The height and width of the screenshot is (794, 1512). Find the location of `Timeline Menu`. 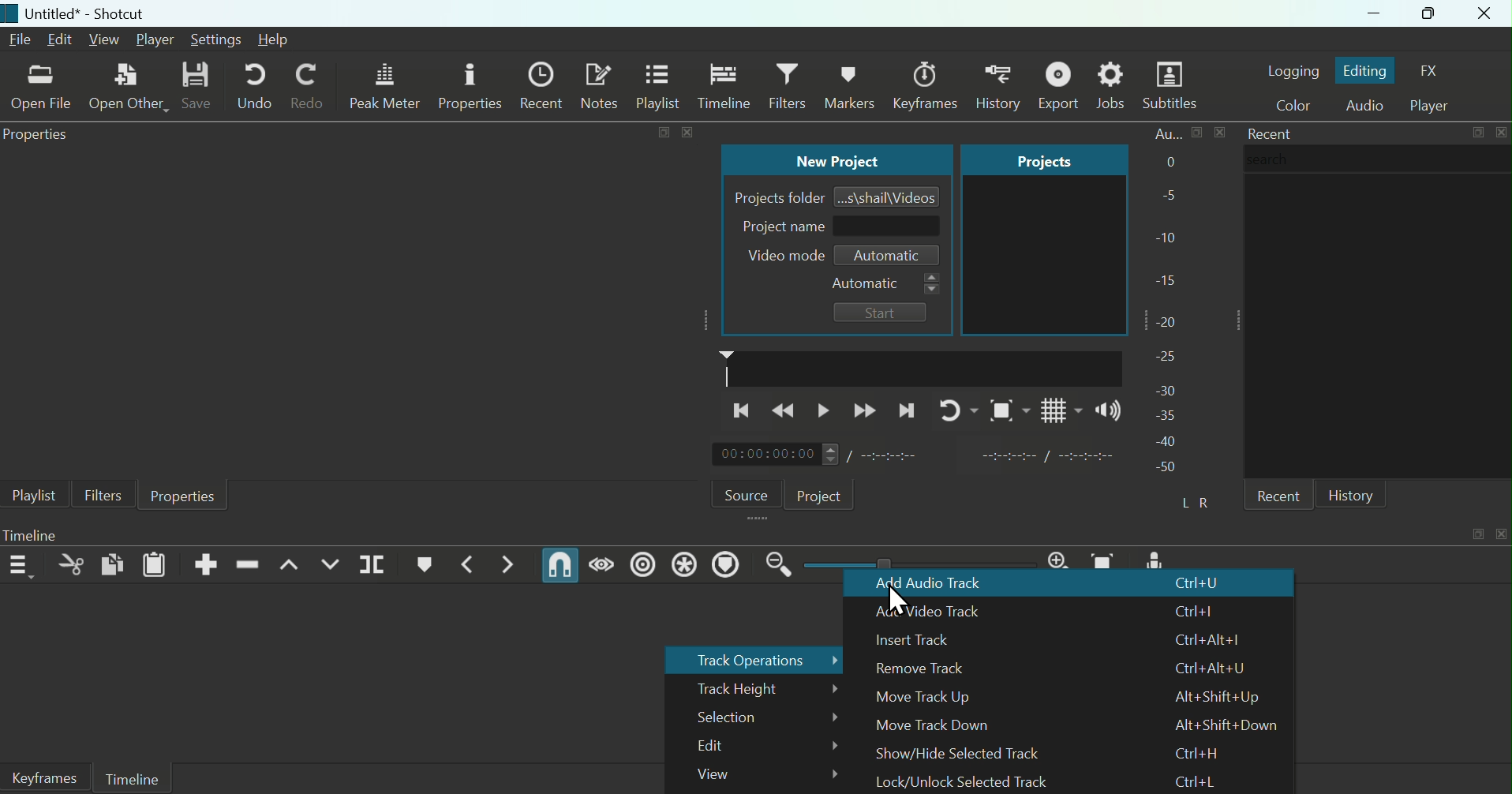

Timeline Menu is located at coordinates (22, 565).